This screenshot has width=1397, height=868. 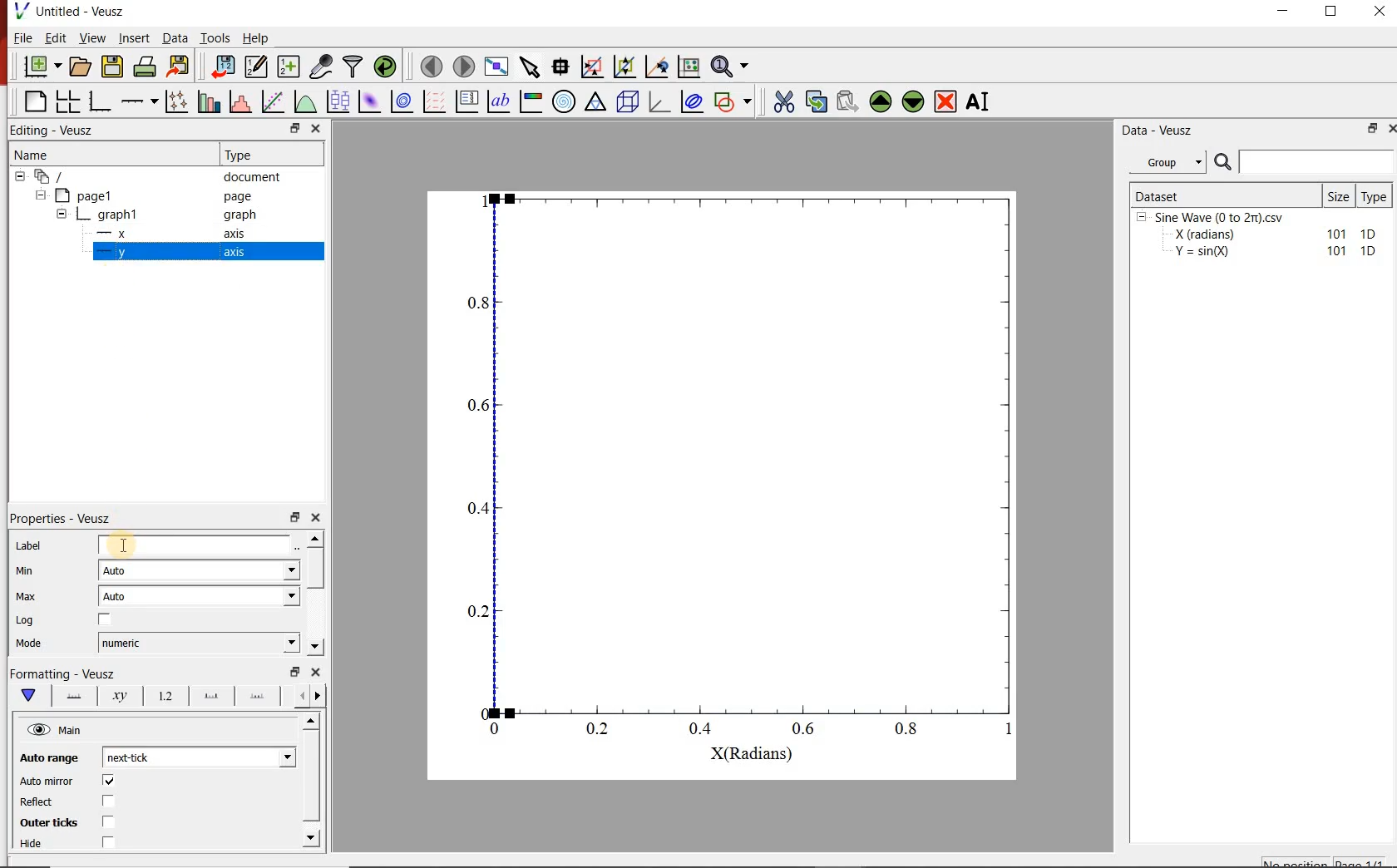 What do you see at coordinates (42, 67) in the screenshot?
I see `new document` at bounding box center [42, 67].